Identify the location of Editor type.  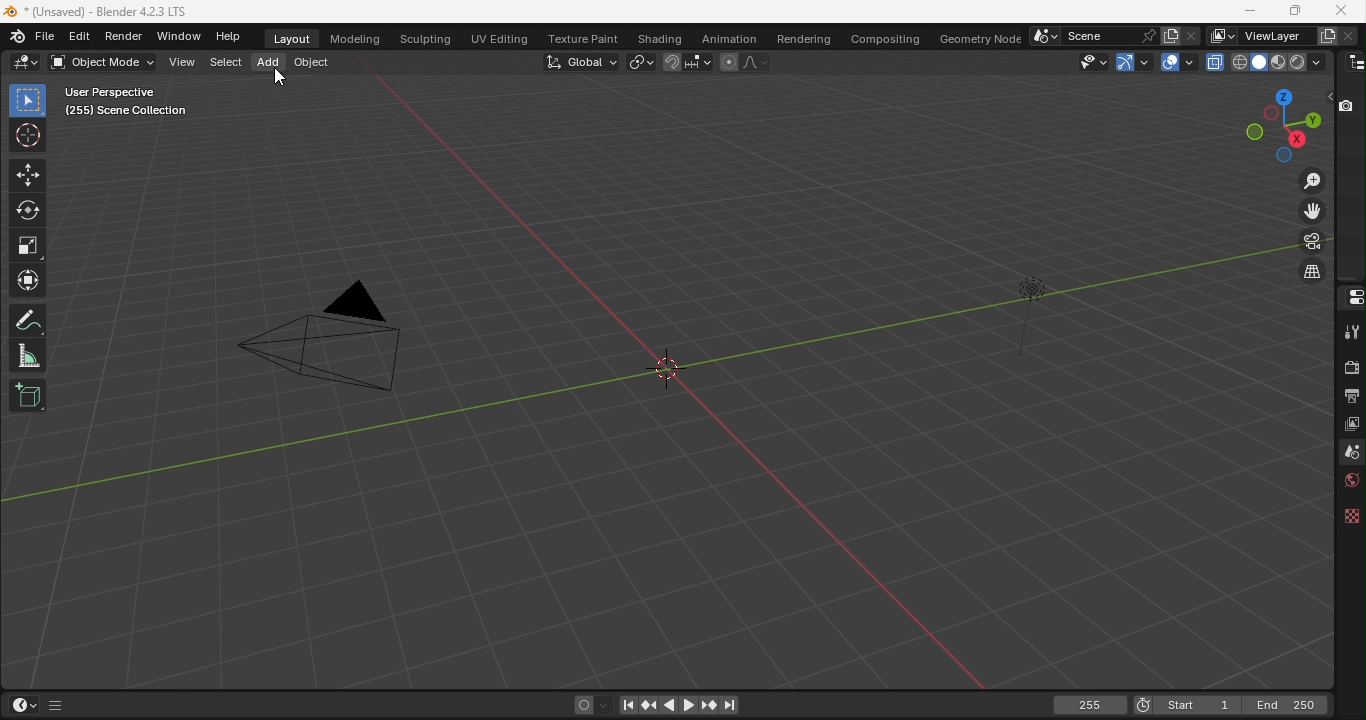
(1352, 62).